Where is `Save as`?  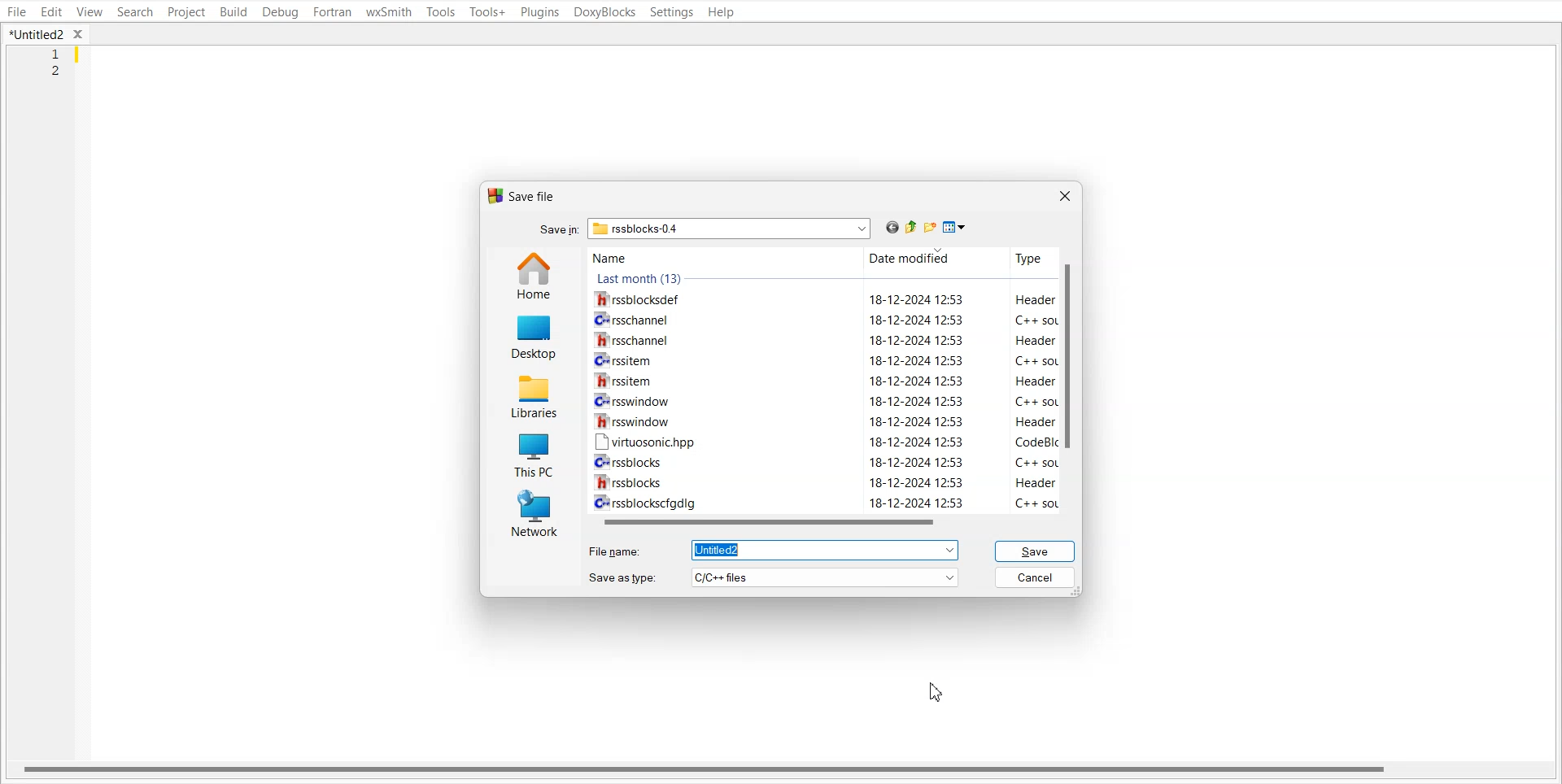 Save as is located at coordinates (956, 229).